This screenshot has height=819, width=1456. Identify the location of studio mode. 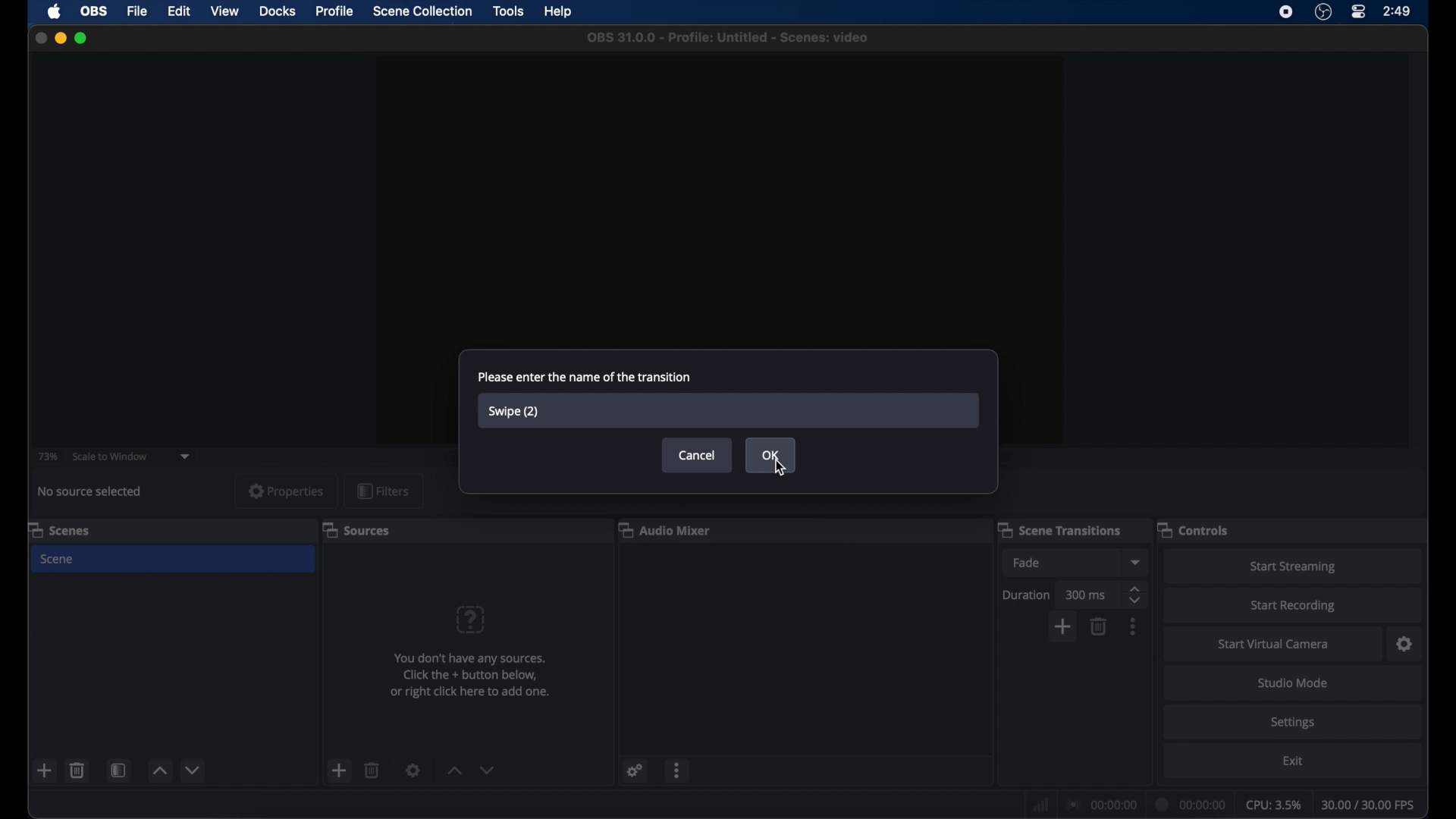
(1293, 682).